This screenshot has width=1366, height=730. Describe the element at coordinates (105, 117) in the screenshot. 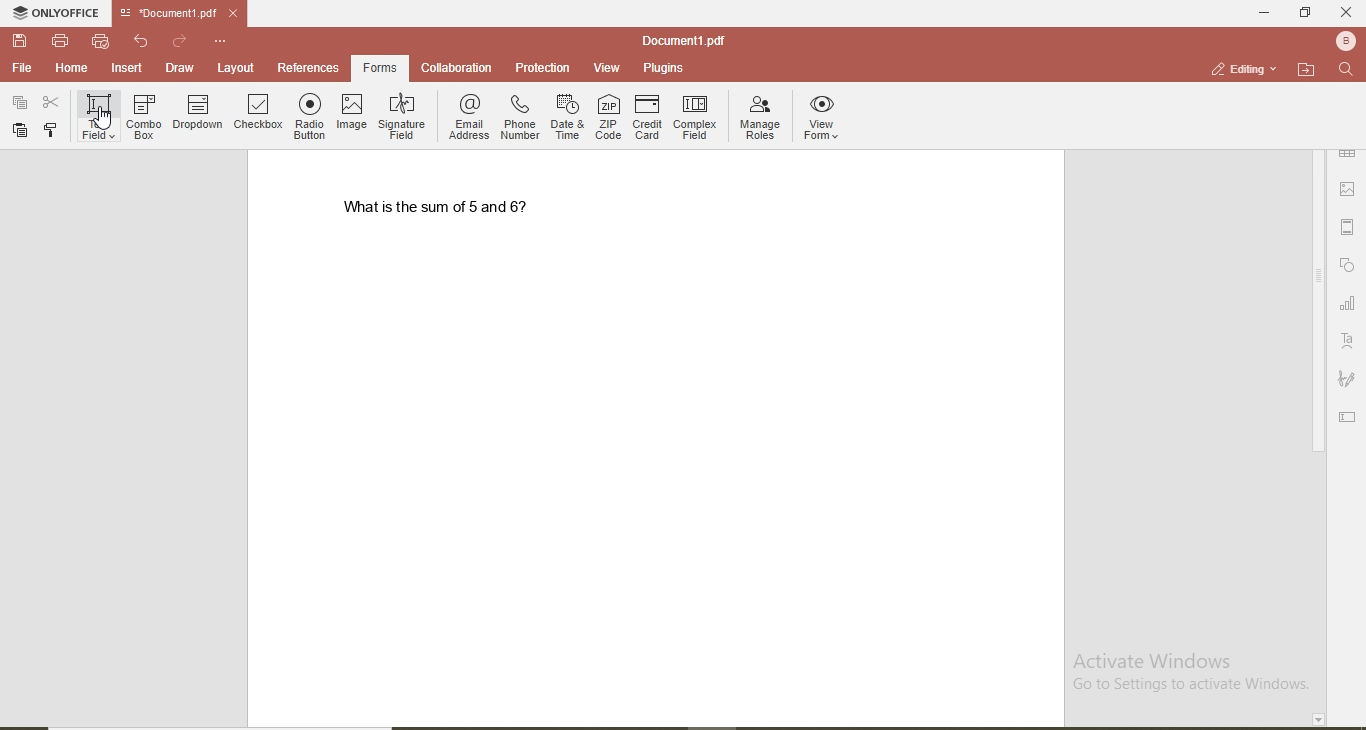

I see `cursor` at that location.